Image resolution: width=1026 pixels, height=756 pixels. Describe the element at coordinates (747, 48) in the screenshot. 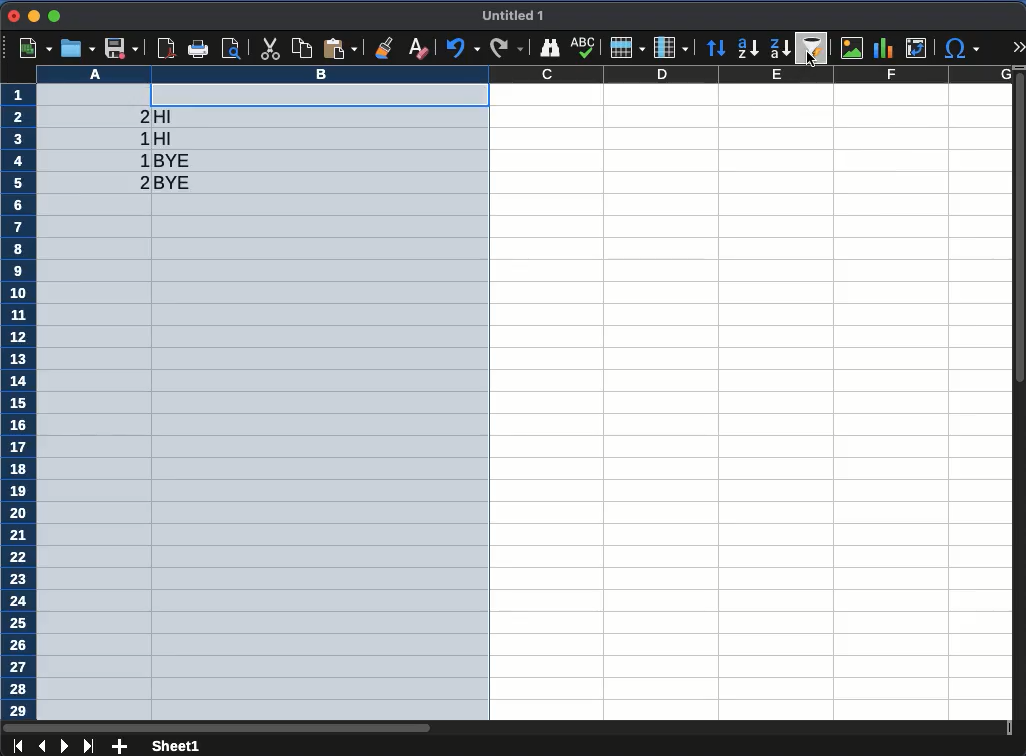

I see `ascending` at that location.